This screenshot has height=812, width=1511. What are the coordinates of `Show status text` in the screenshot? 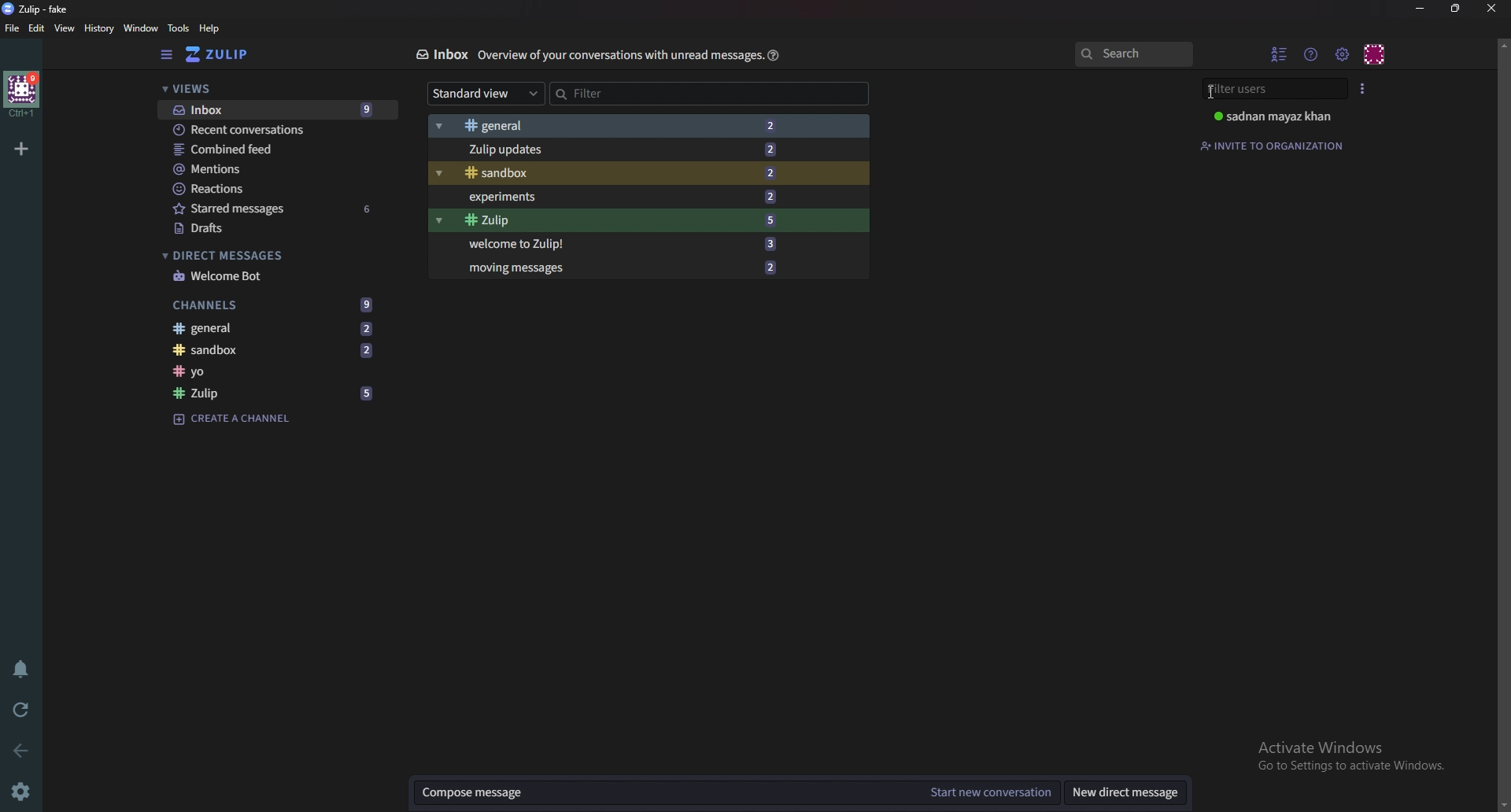 It's located at (1245, 94).